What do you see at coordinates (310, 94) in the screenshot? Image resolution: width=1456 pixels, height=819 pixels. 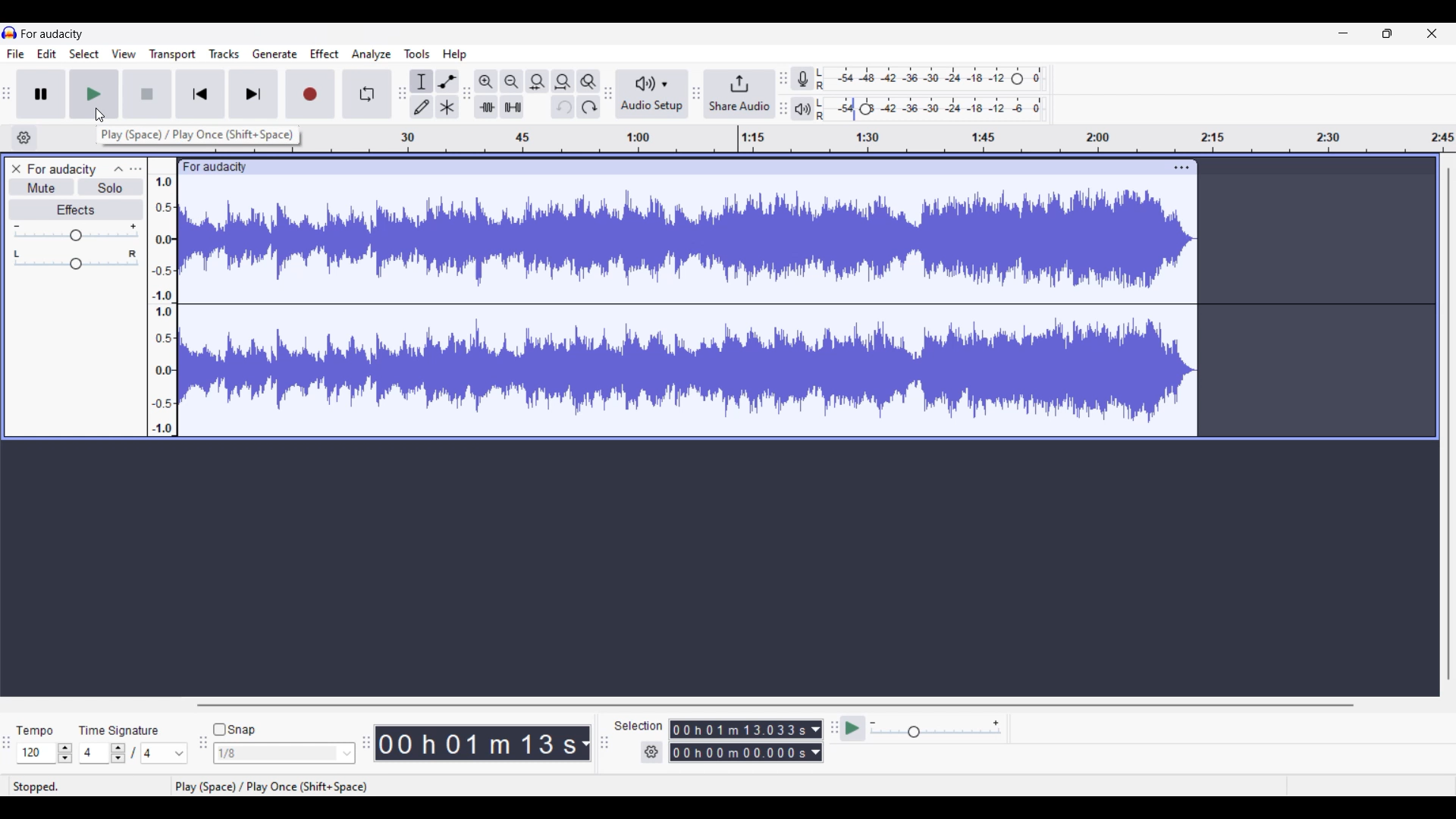 I see `Record/Record new track` at bounding box center [310, 94].